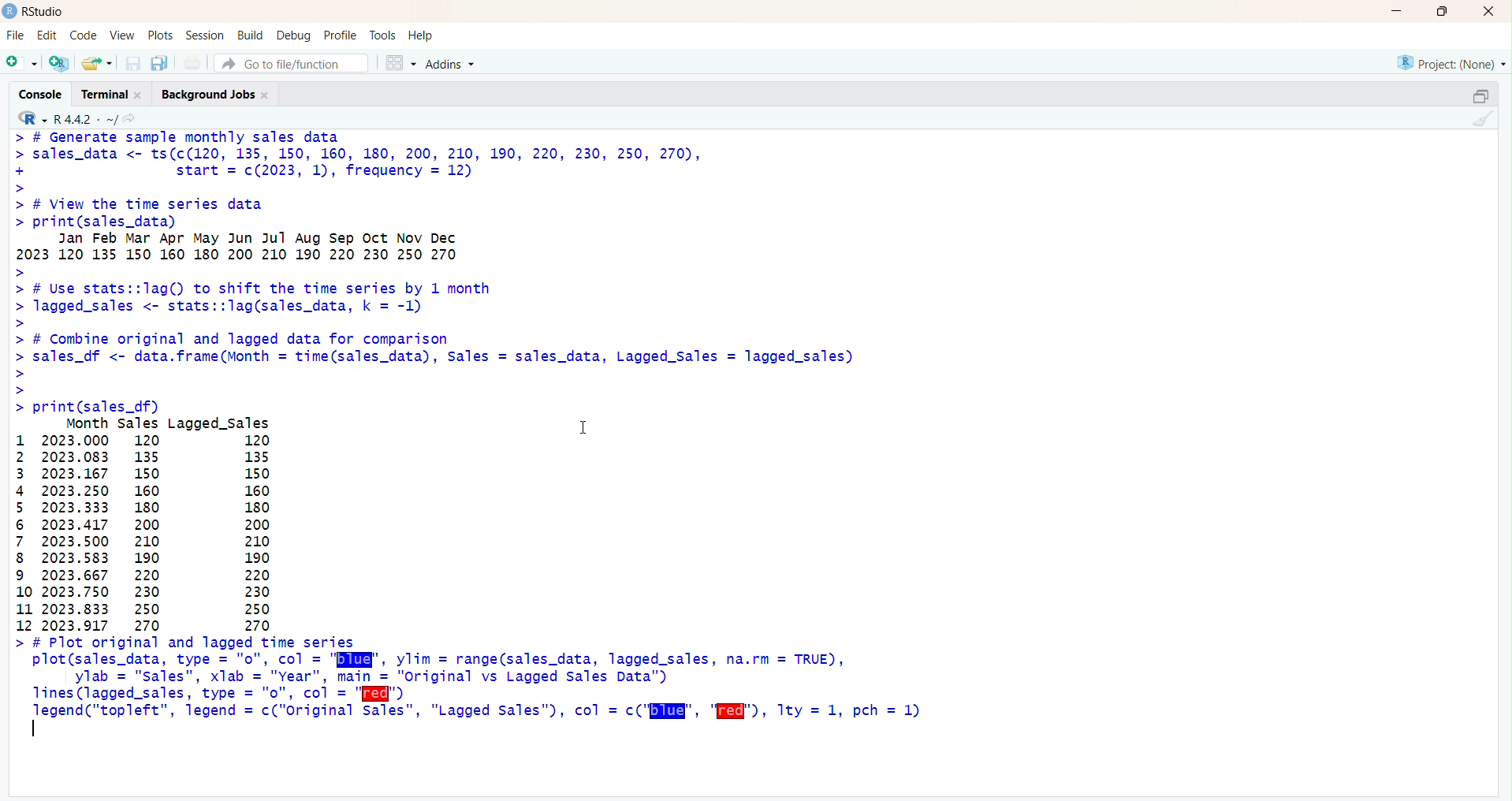 Image resolution: width=1512 pixels, height=801 pixels. I want to click on > # View the Time series data> print(sales_data), so click(186, 212).